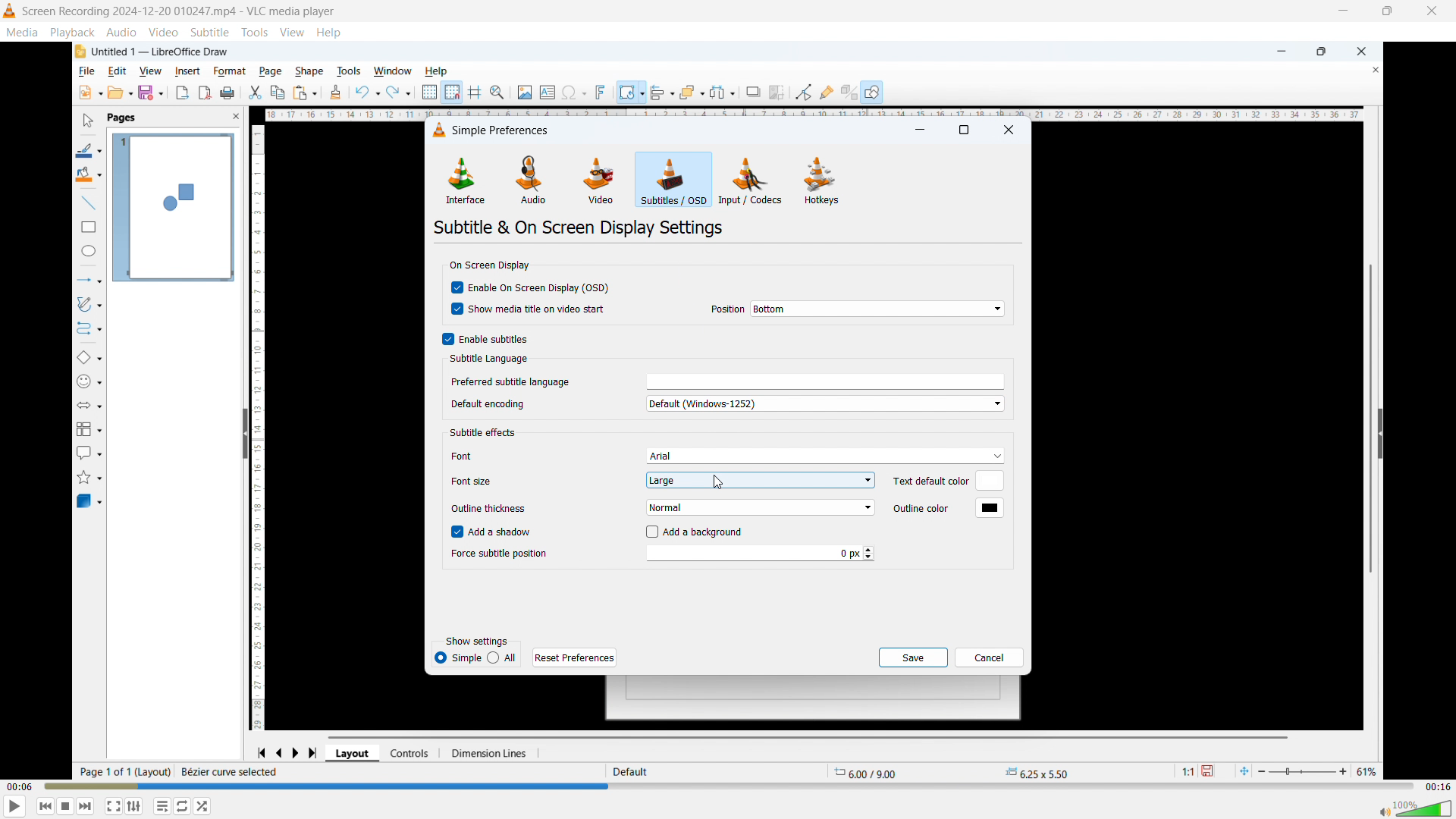 This screenshot has width=1456, height=819. I want to click on Toggle between loop all, one loop and no loop , so click(163, 806).